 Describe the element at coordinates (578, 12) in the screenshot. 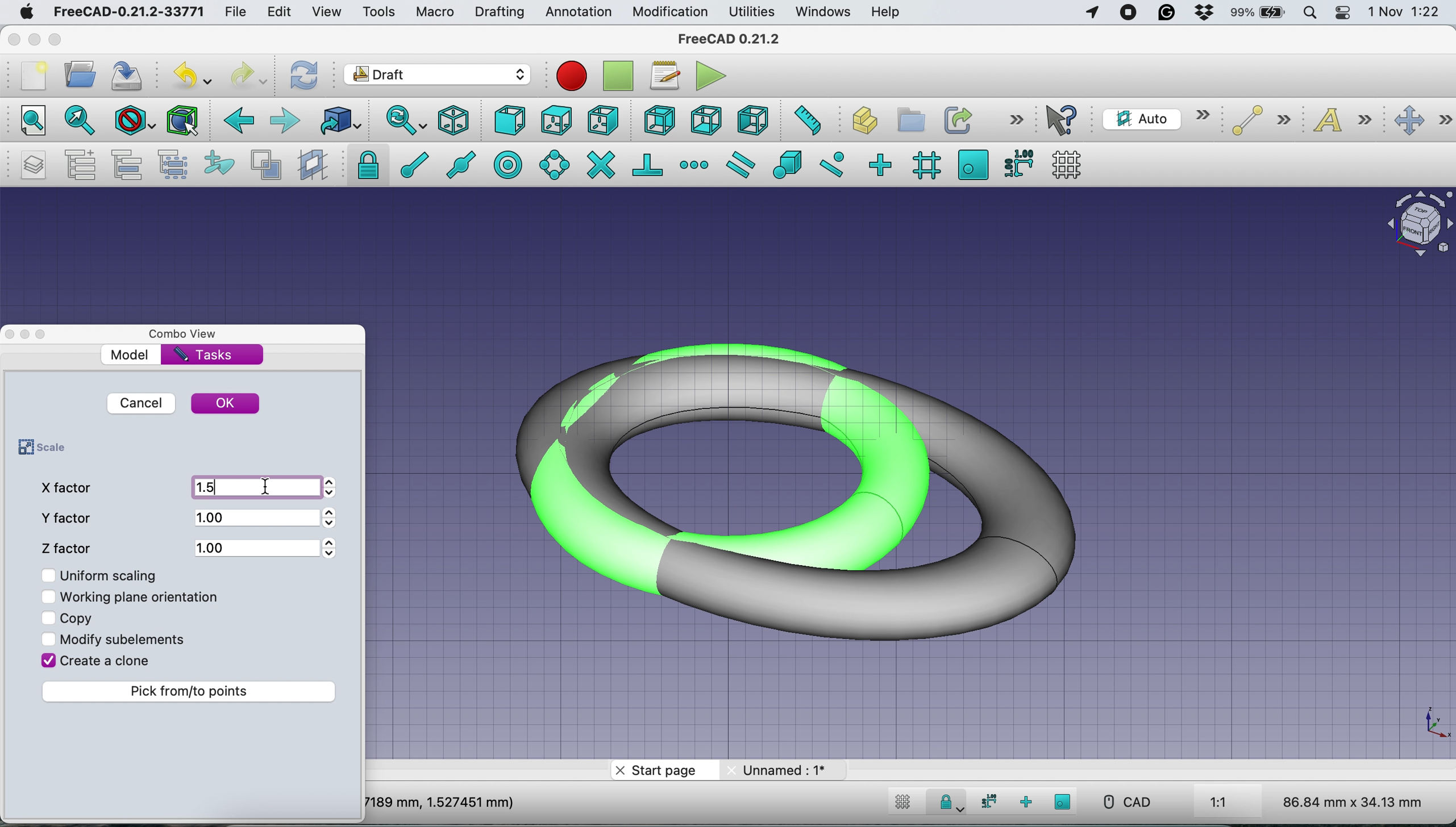

I see `annotation` at that location.